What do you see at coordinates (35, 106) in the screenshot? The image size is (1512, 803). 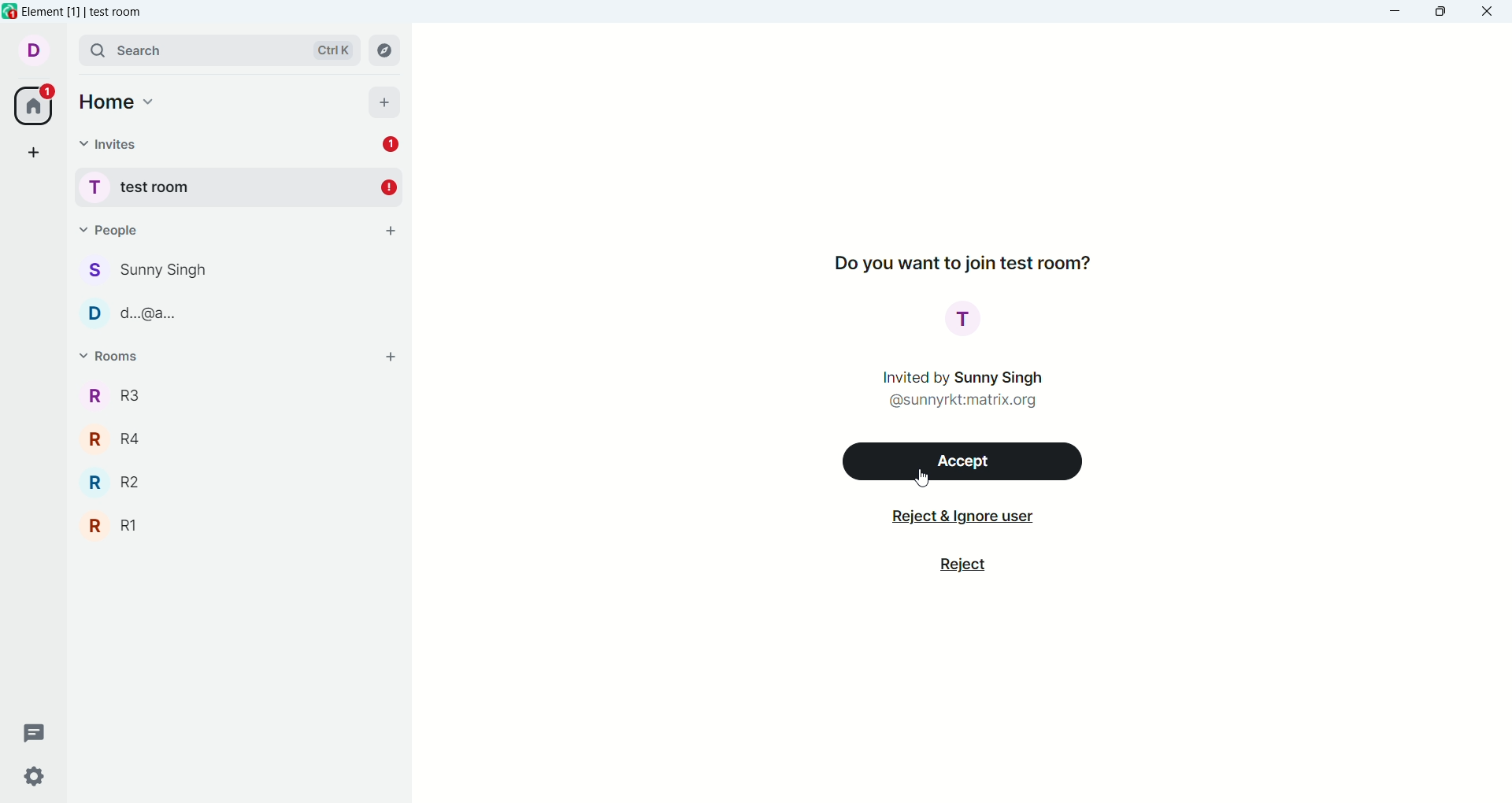 I see `all rooms` at bounding box center [35, 106].